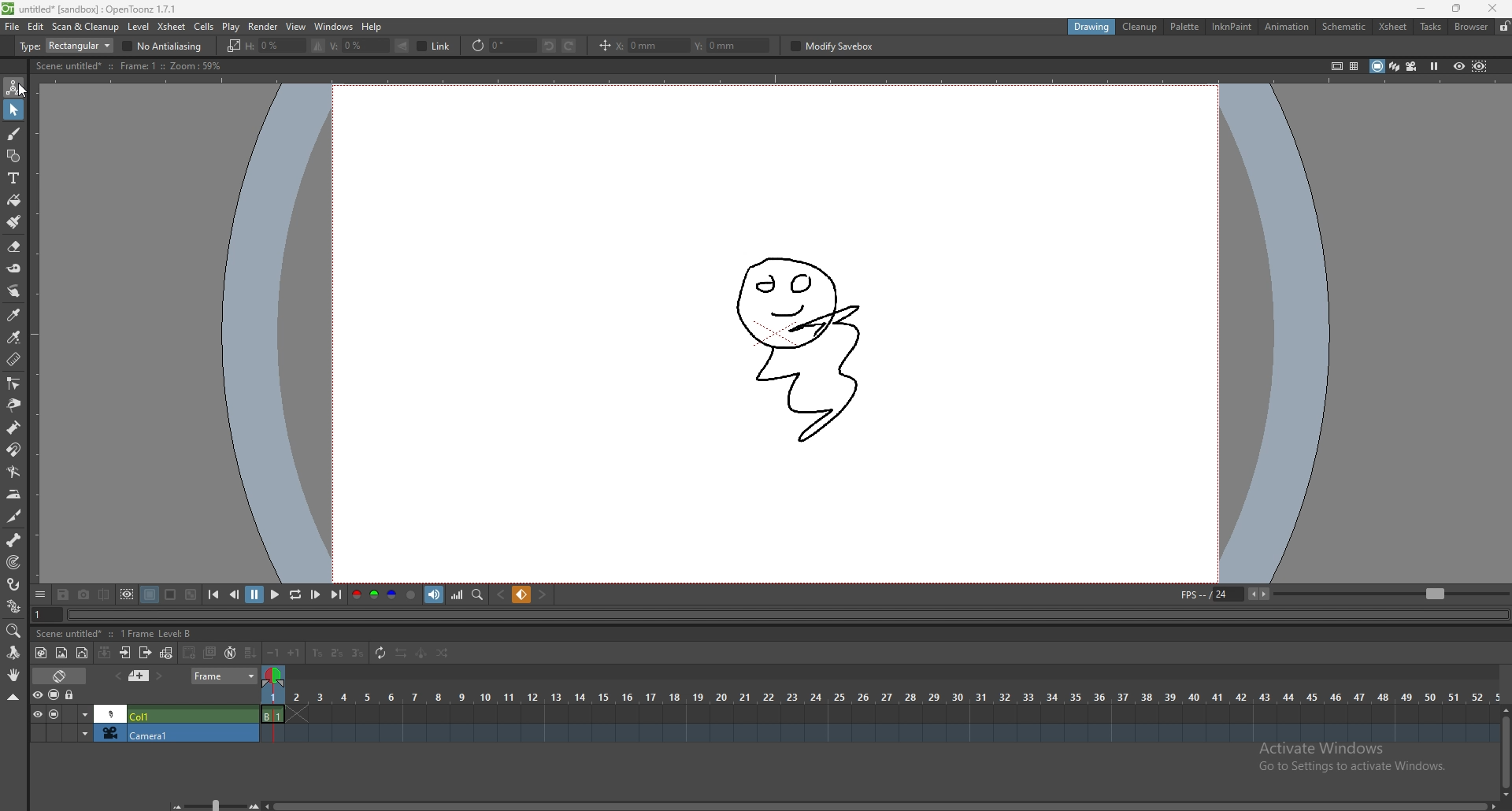 The image size is (1512, 811). Describe the element at coordinates (15, 584) in the screenshot. I see `hook` at that location.